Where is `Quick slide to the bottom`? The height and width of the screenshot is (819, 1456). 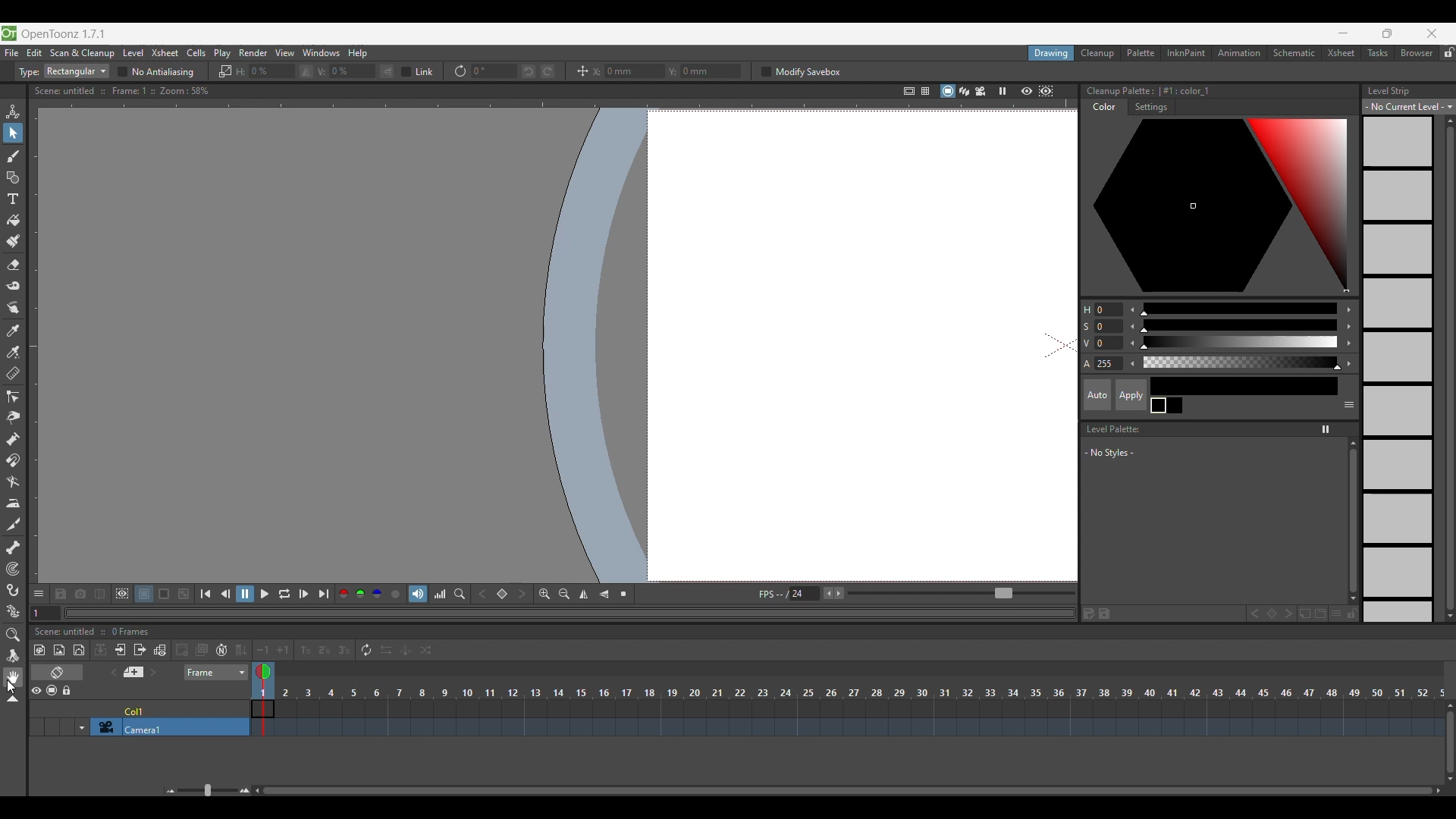
Quick slide to the bottom is located at coordinates (1354, 599).